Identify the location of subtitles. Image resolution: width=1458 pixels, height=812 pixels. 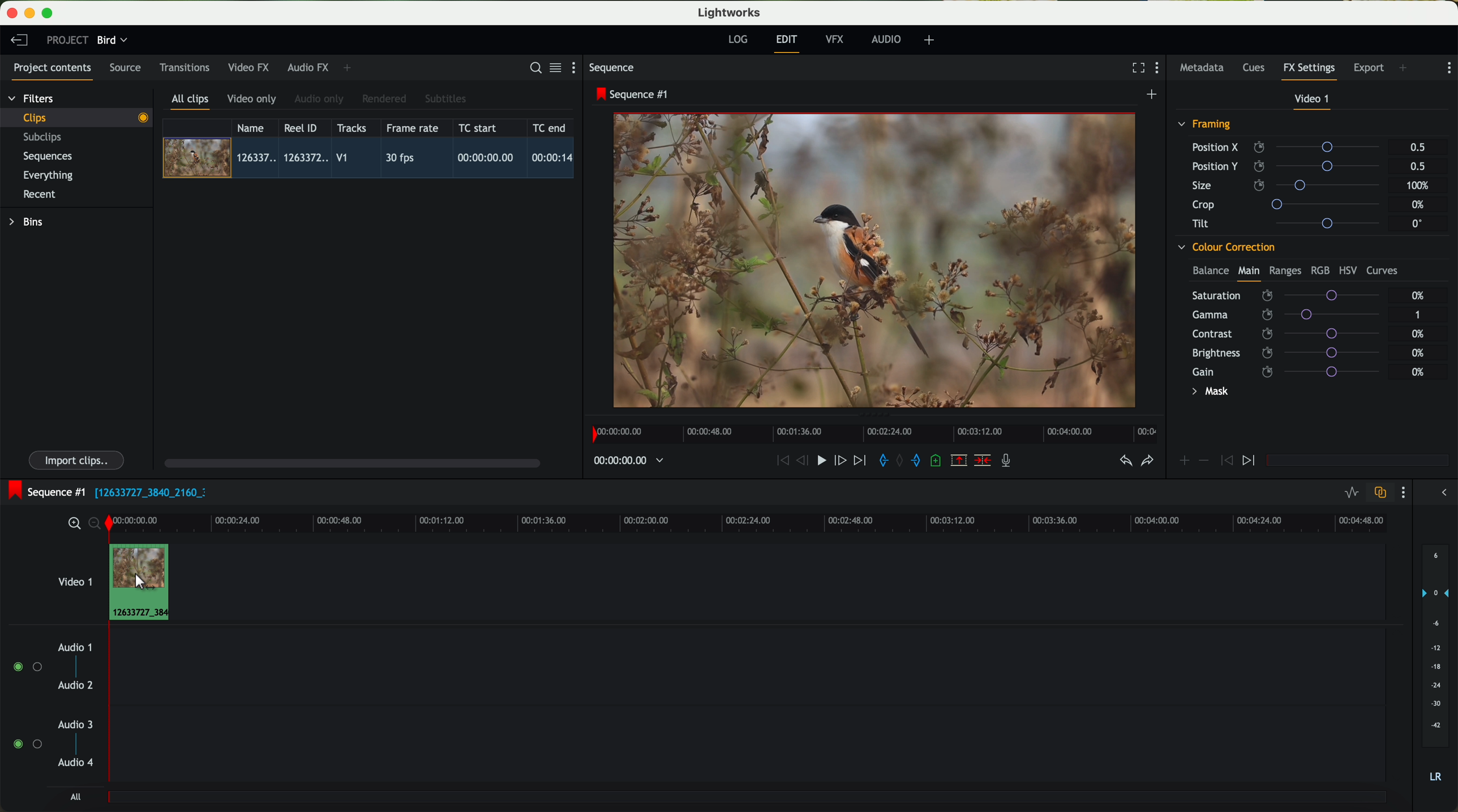
(444, 99).